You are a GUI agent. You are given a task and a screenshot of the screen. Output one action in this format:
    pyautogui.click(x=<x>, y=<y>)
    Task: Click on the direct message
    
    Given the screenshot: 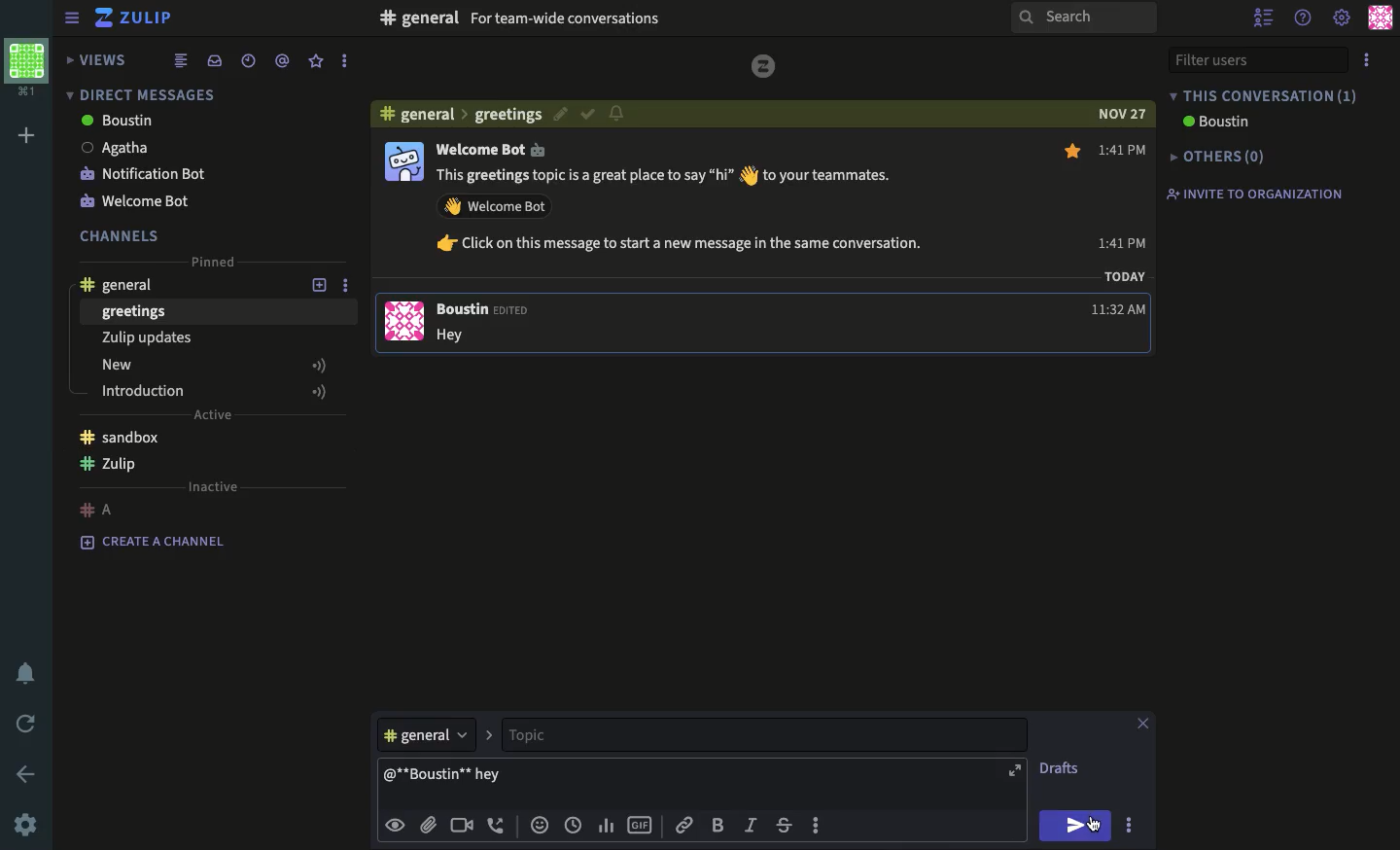 What is the action you would take?
    pyautogui.click(x=138, y=93)
    